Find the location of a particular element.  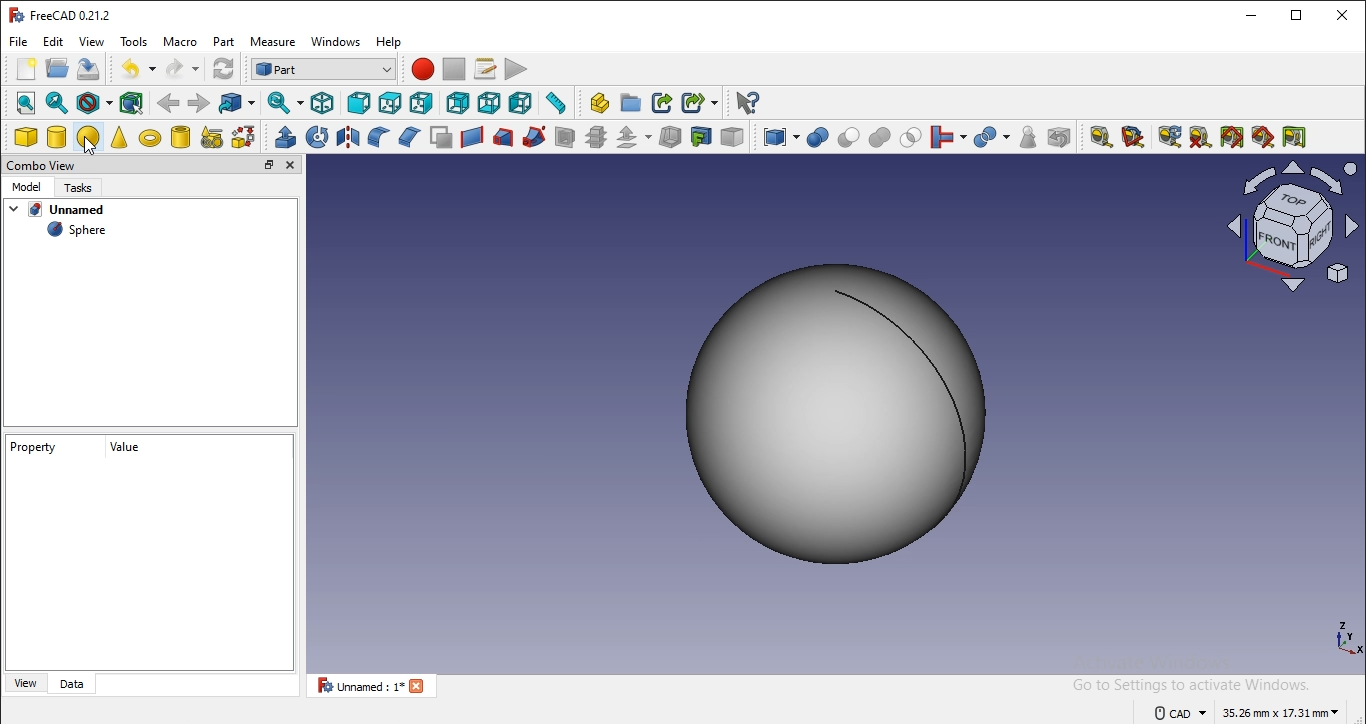

intersection is located at coordinates (911, 139).